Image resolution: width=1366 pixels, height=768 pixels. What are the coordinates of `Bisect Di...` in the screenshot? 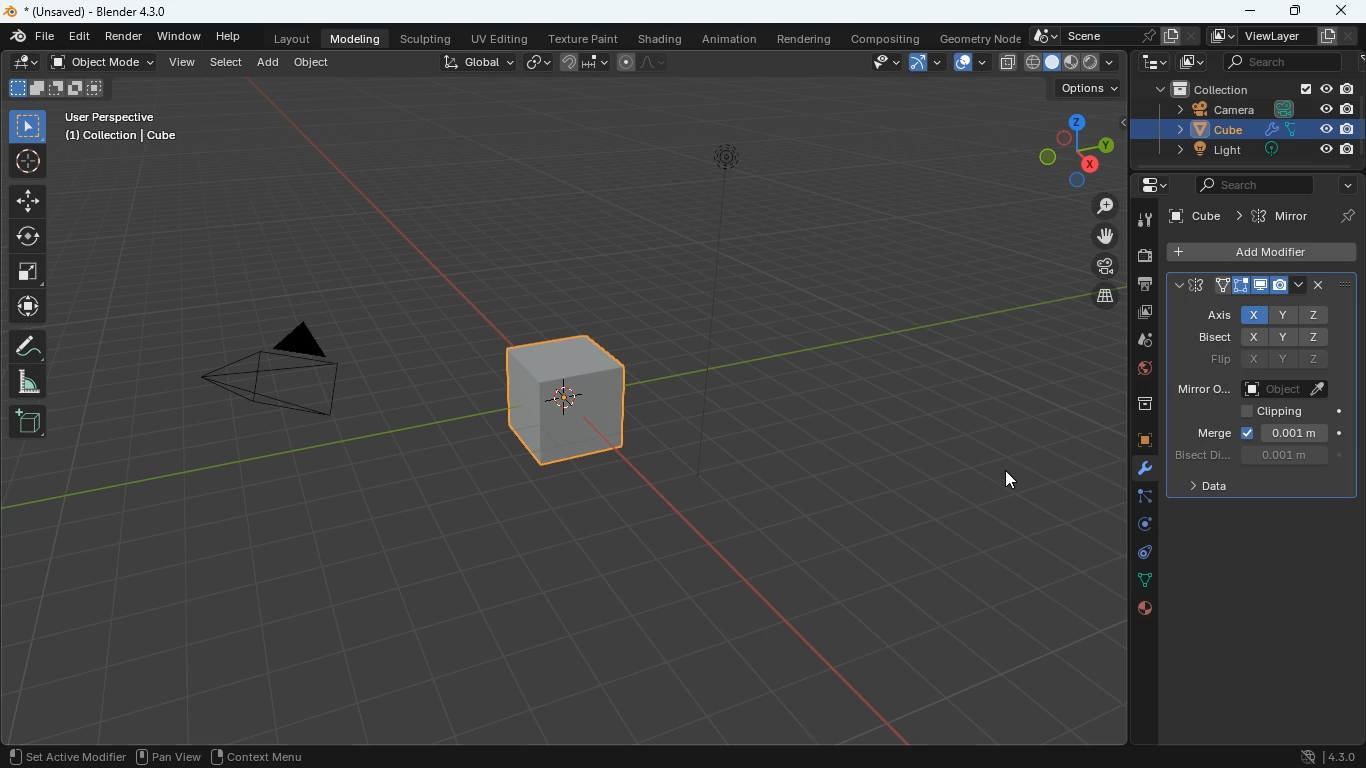 It's located at (1200, 454).